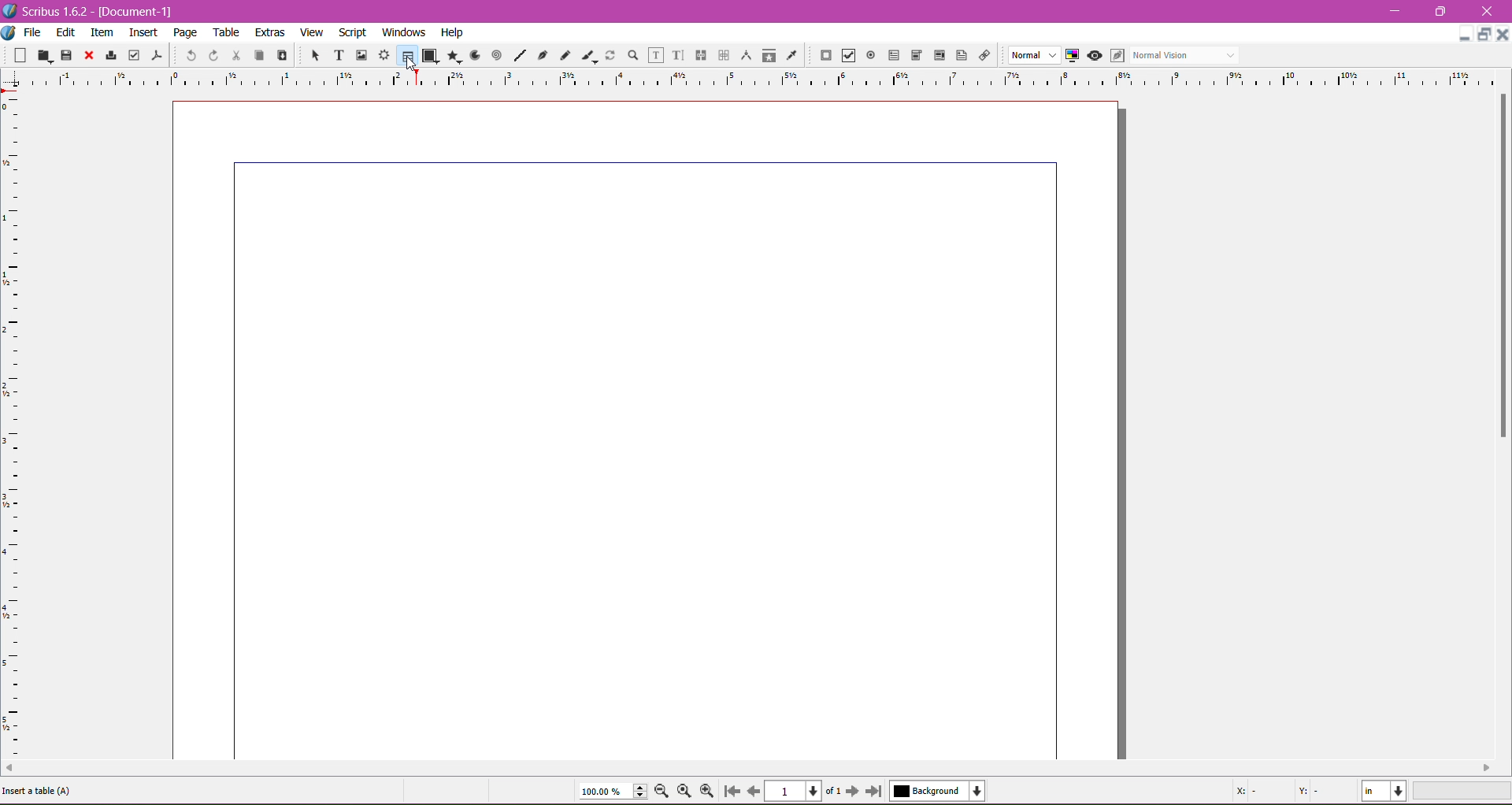  I want to click on Preflight Verifier, so click(134, 52).